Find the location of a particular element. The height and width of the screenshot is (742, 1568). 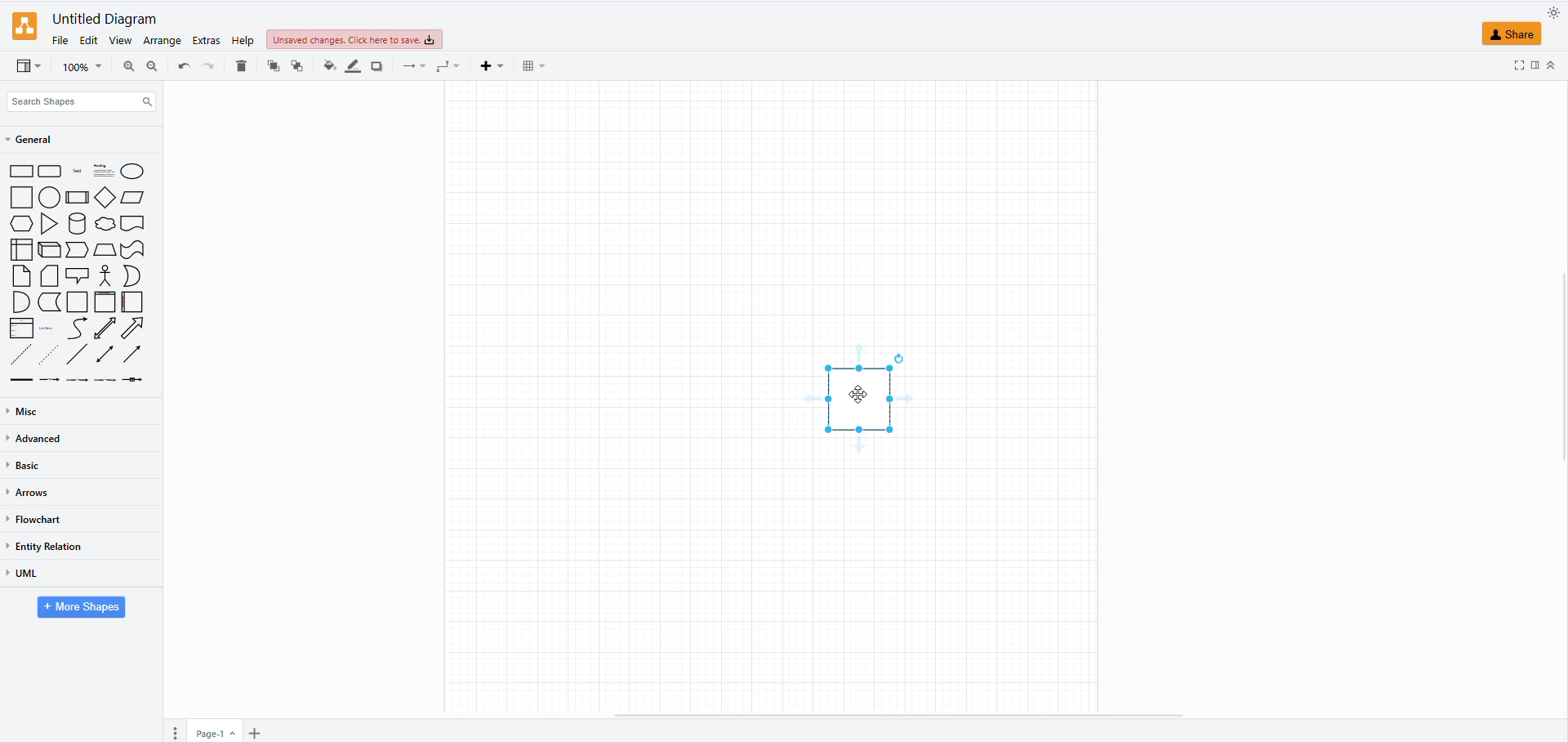

list is located at coordinates (22, 329).